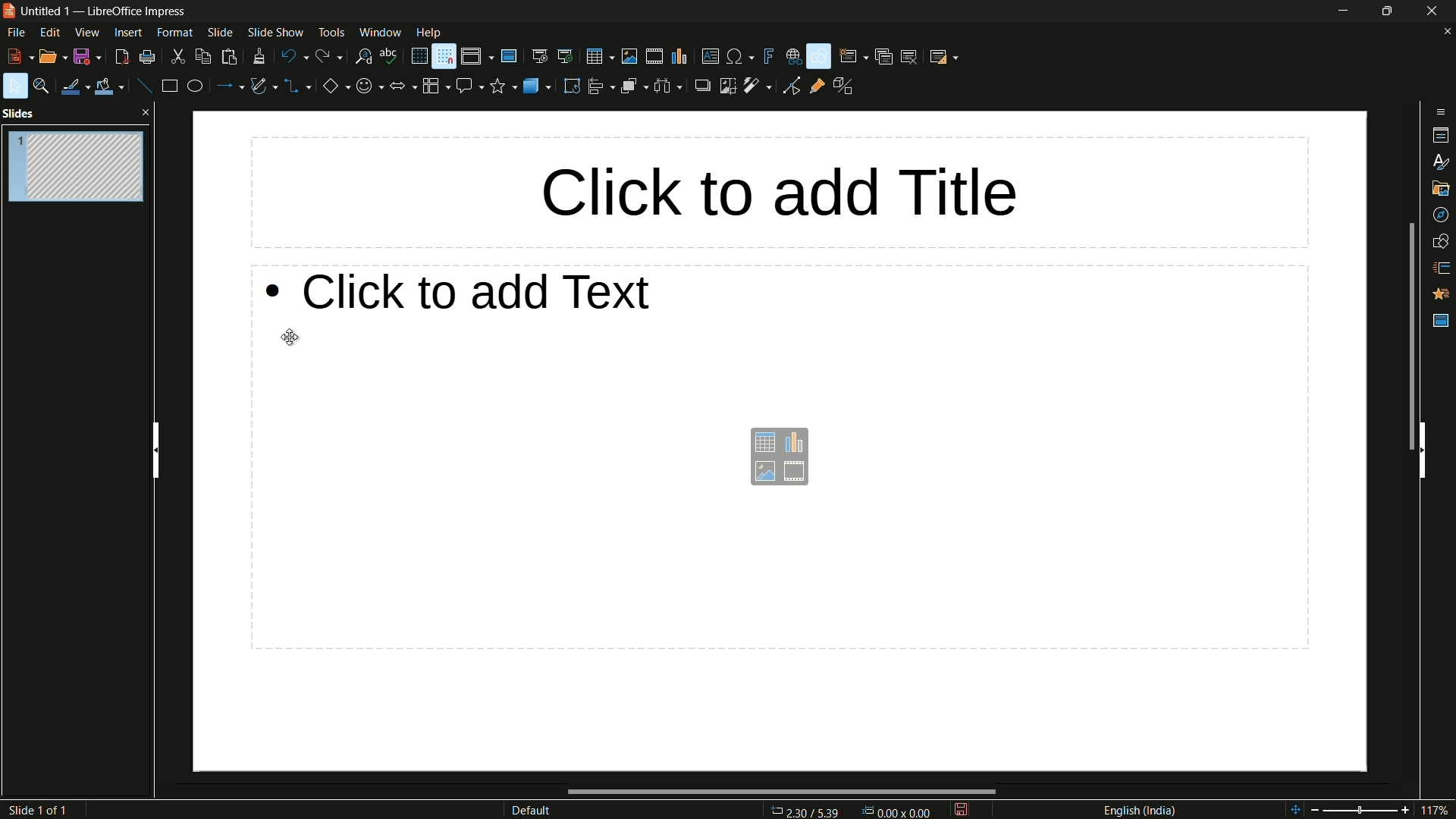 The height and width of the screenshot is (819, 1456). Describe the element at coordinates (1143, 810) in the screenshot. I see `language` at that location.